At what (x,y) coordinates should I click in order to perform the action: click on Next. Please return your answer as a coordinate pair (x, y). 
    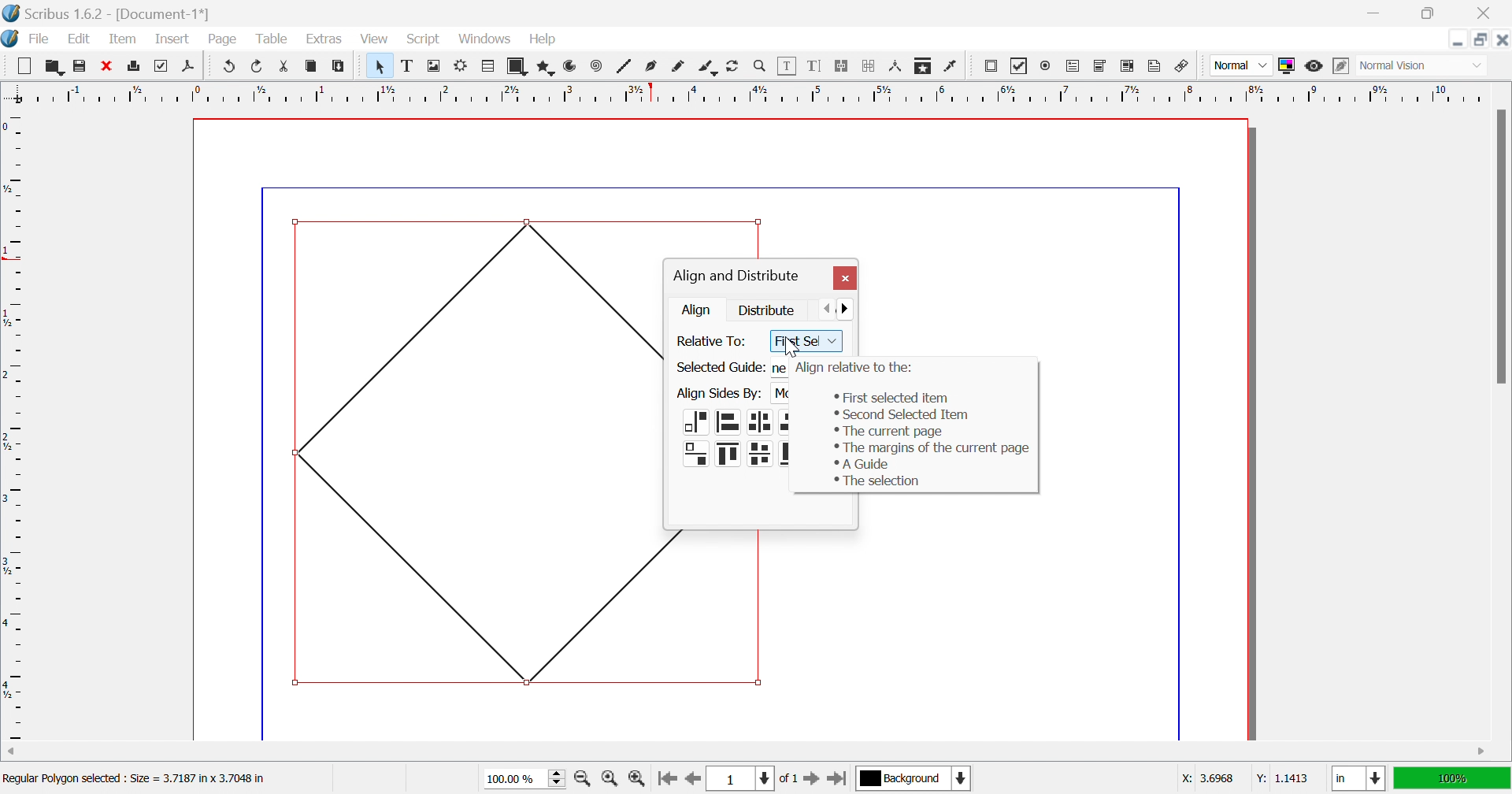
    Looking at the image, I should click on (851, 307).